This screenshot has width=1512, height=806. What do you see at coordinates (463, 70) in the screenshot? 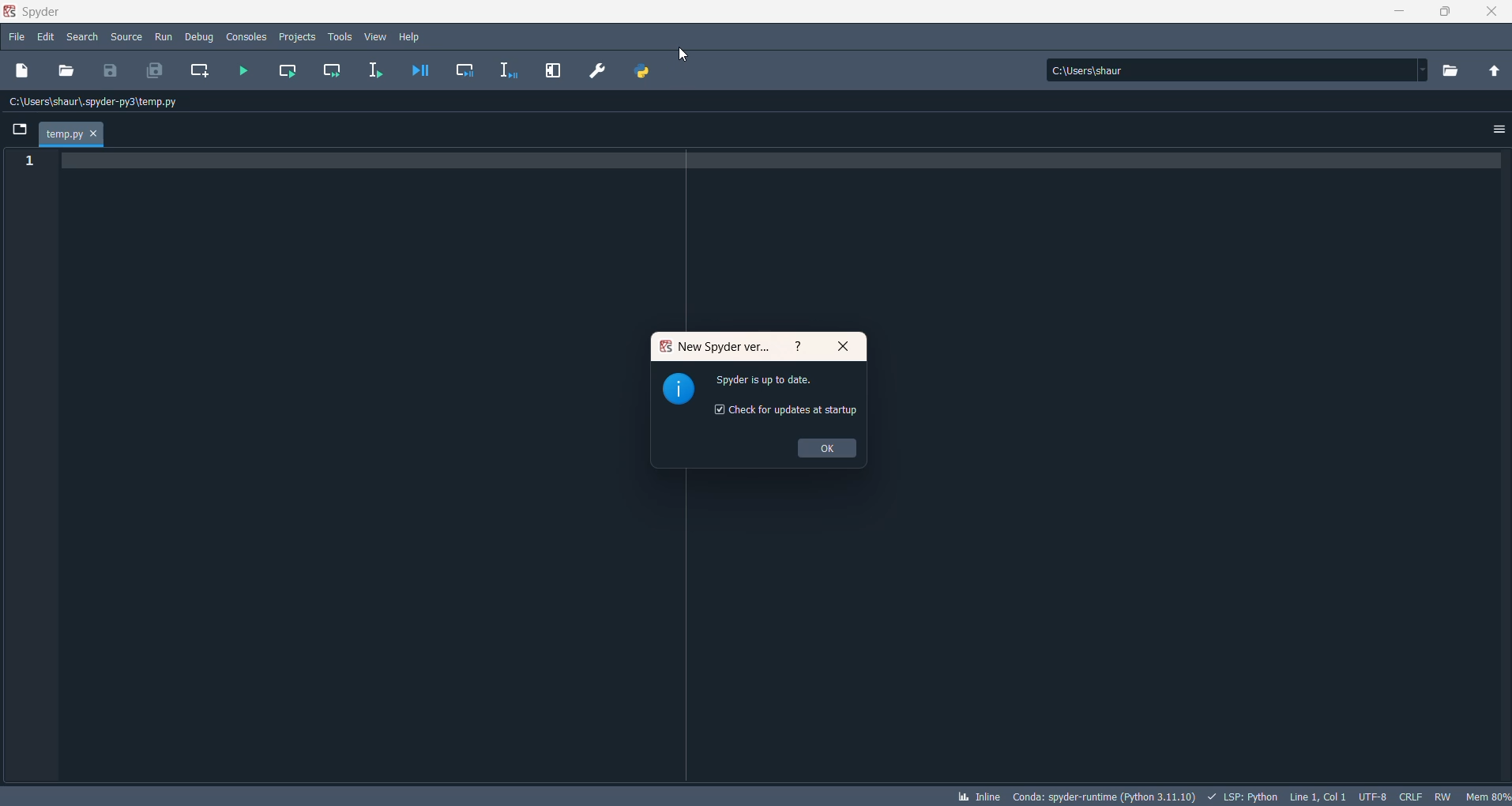
I see `debug cell` at bounding box center [463, 70].